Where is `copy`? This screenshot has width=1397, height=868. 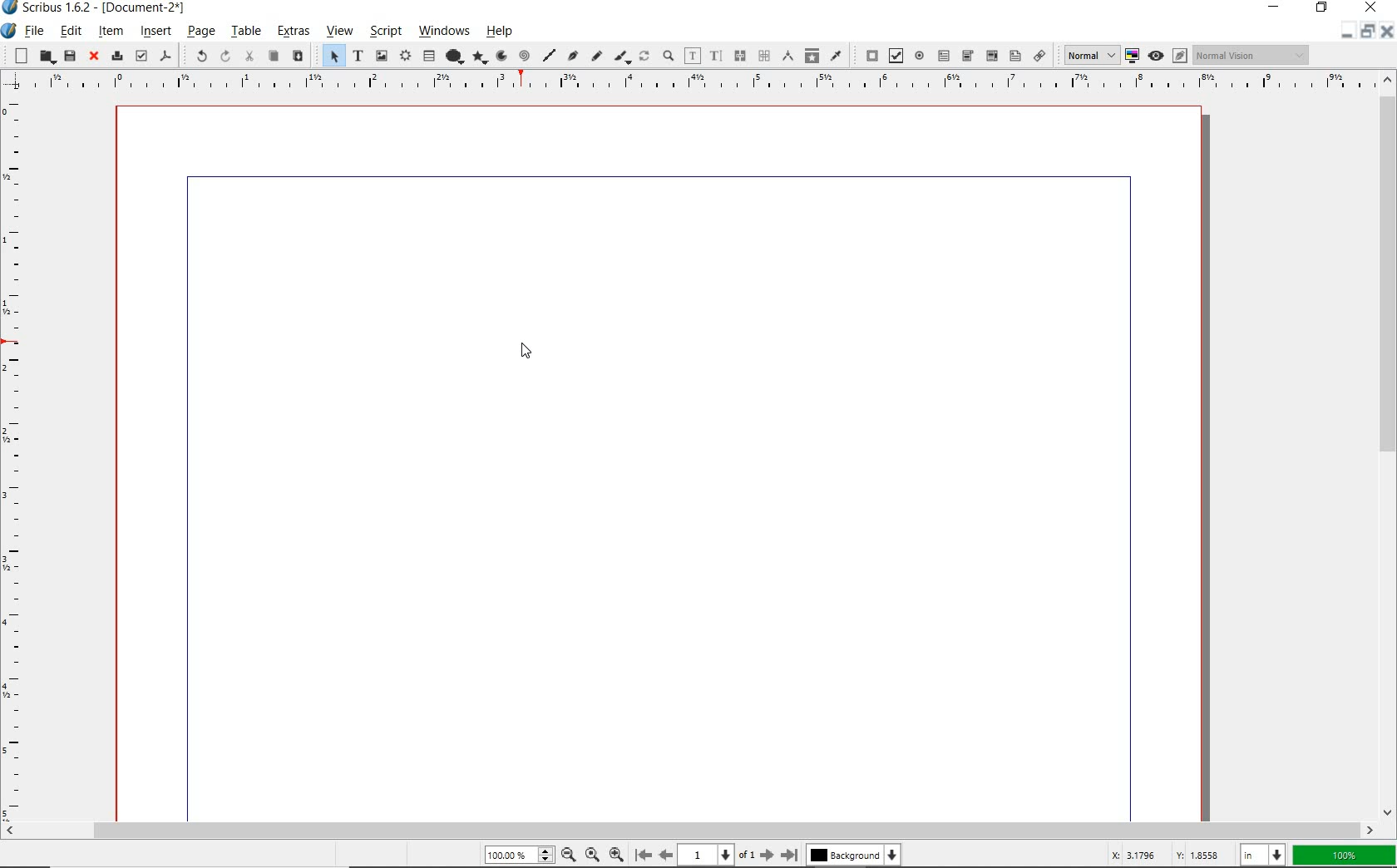
copy is located at coordinates (274, 56).